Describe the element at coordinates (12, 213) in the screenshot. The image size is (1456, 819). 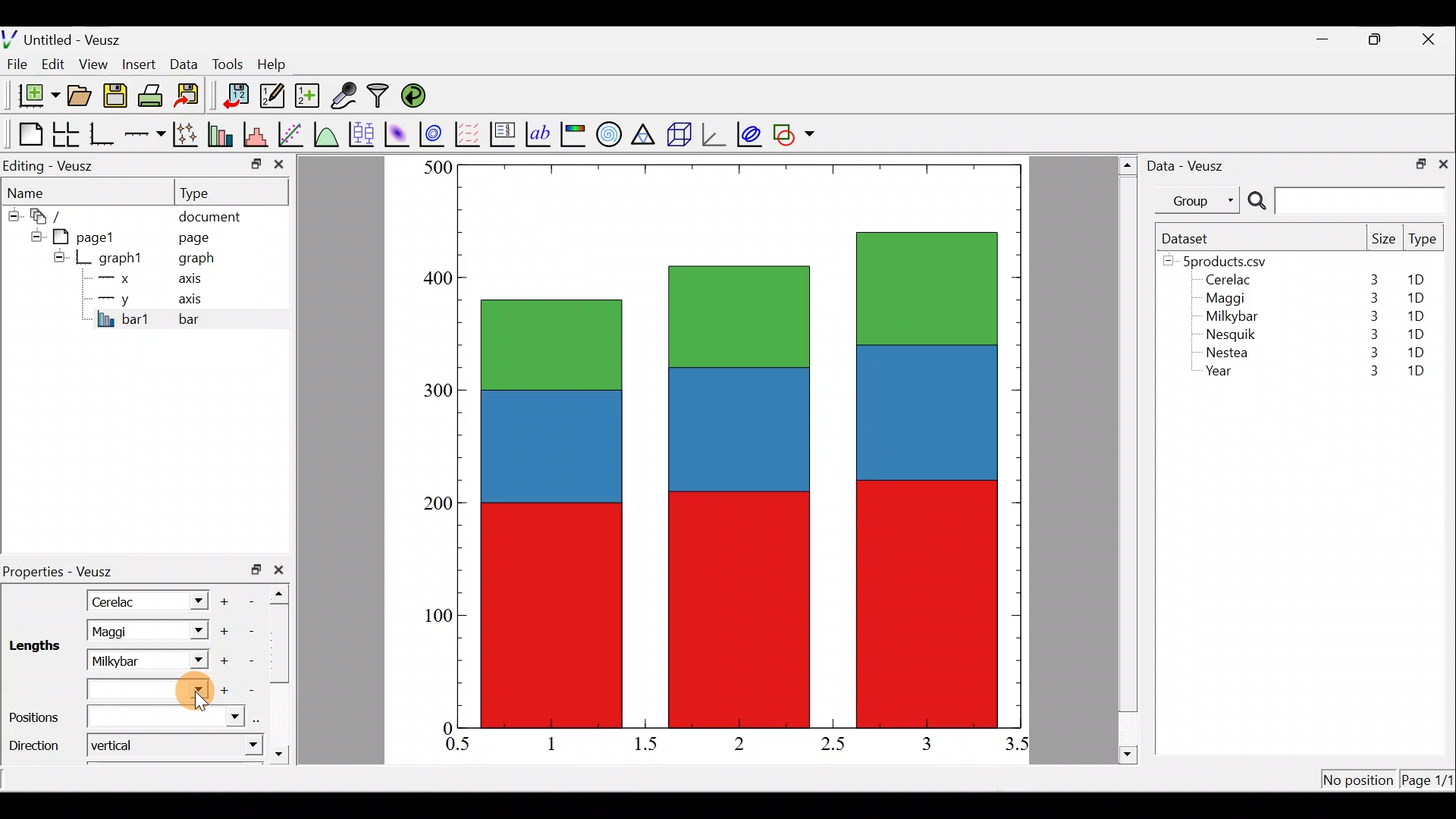
I see `hide` at that location.